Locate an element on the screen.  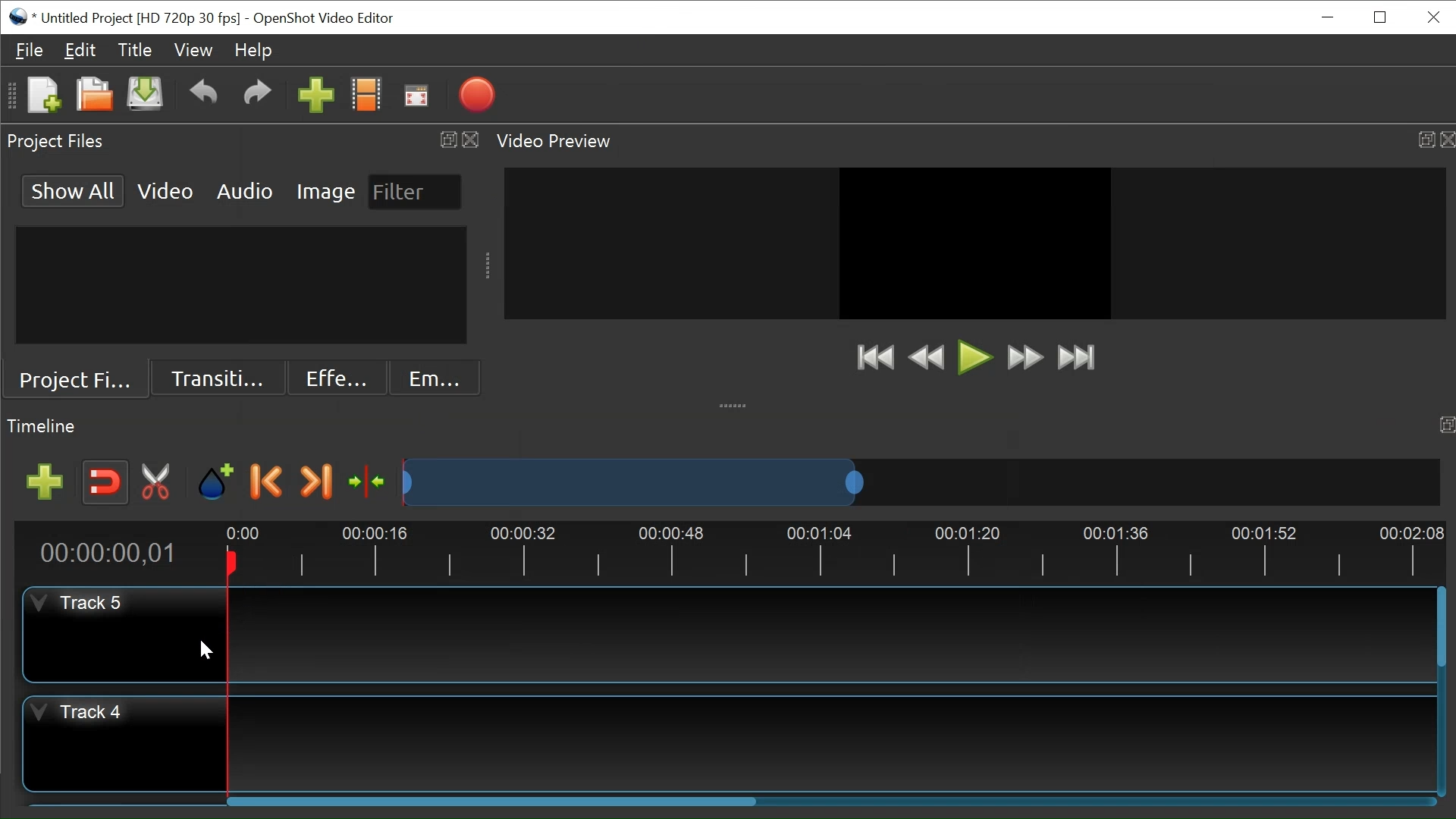
Close is located at coordinates (1431, 17).